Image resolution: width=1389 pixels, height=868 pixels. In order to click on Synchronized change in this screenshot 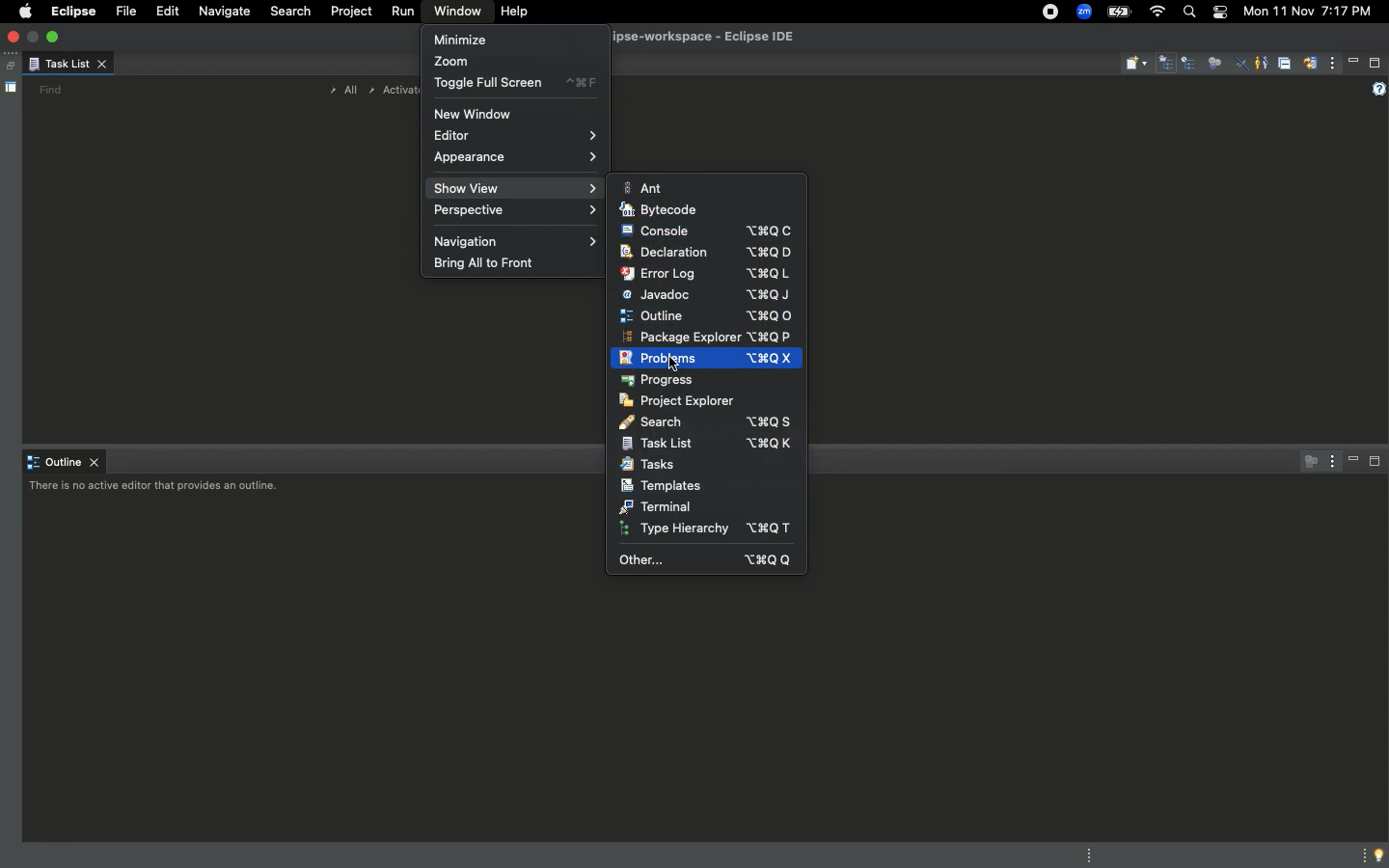, I will do `click(1310, 68)`.